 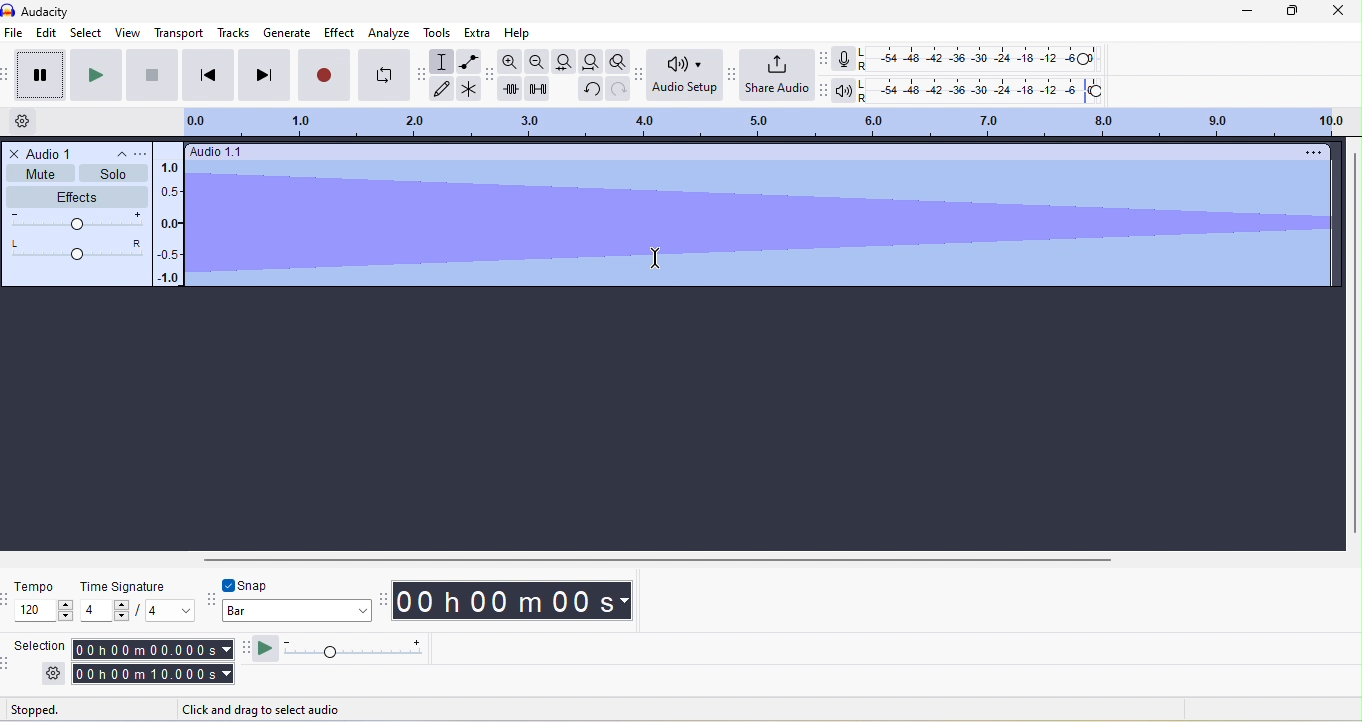 What do you see at coordinates (346, 649) in the screenshot?
I see `play at speed` at bounding box center [346, 649].